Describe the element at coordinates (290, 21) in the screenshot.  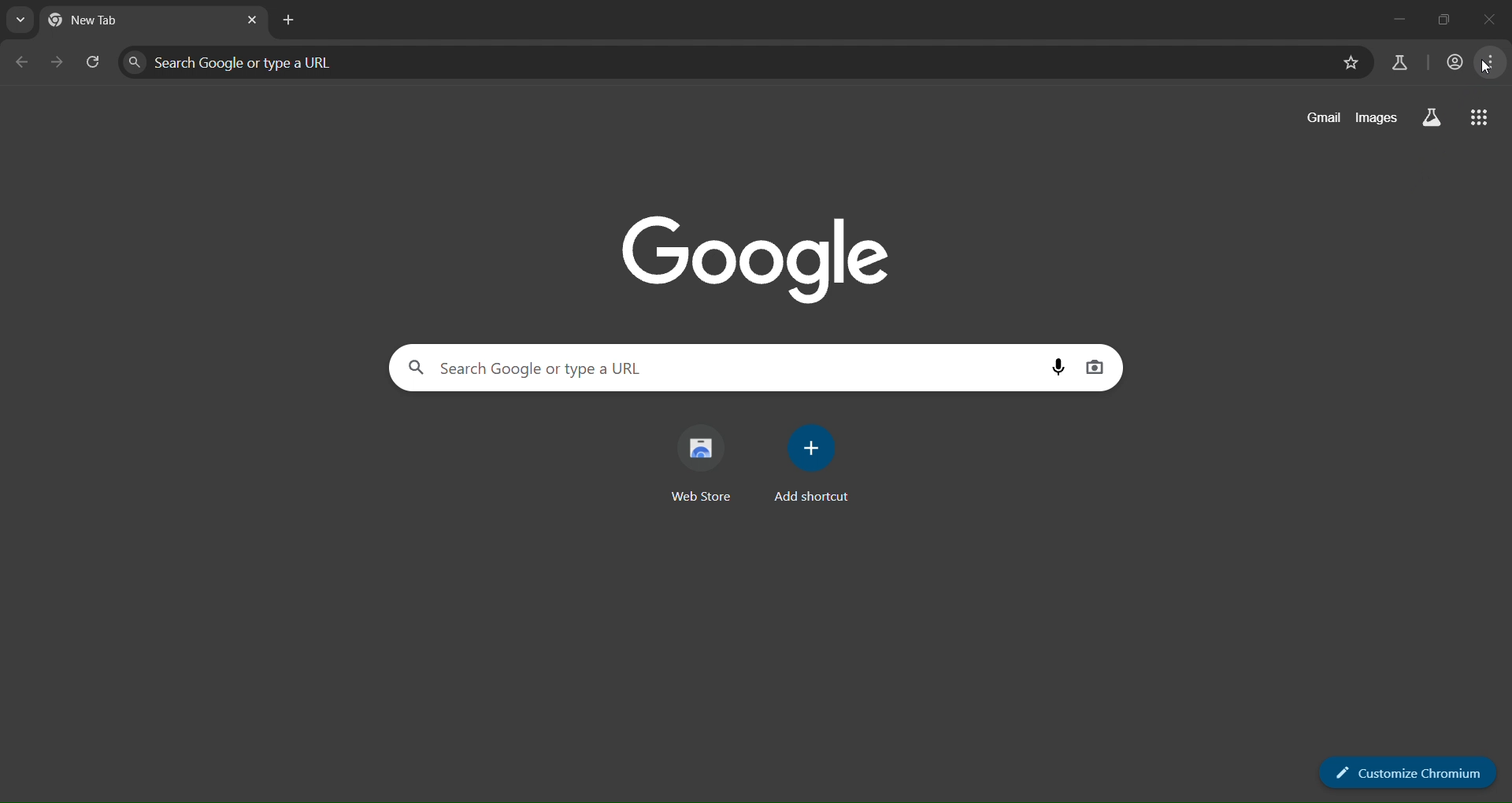
I see `new tab` at that location.